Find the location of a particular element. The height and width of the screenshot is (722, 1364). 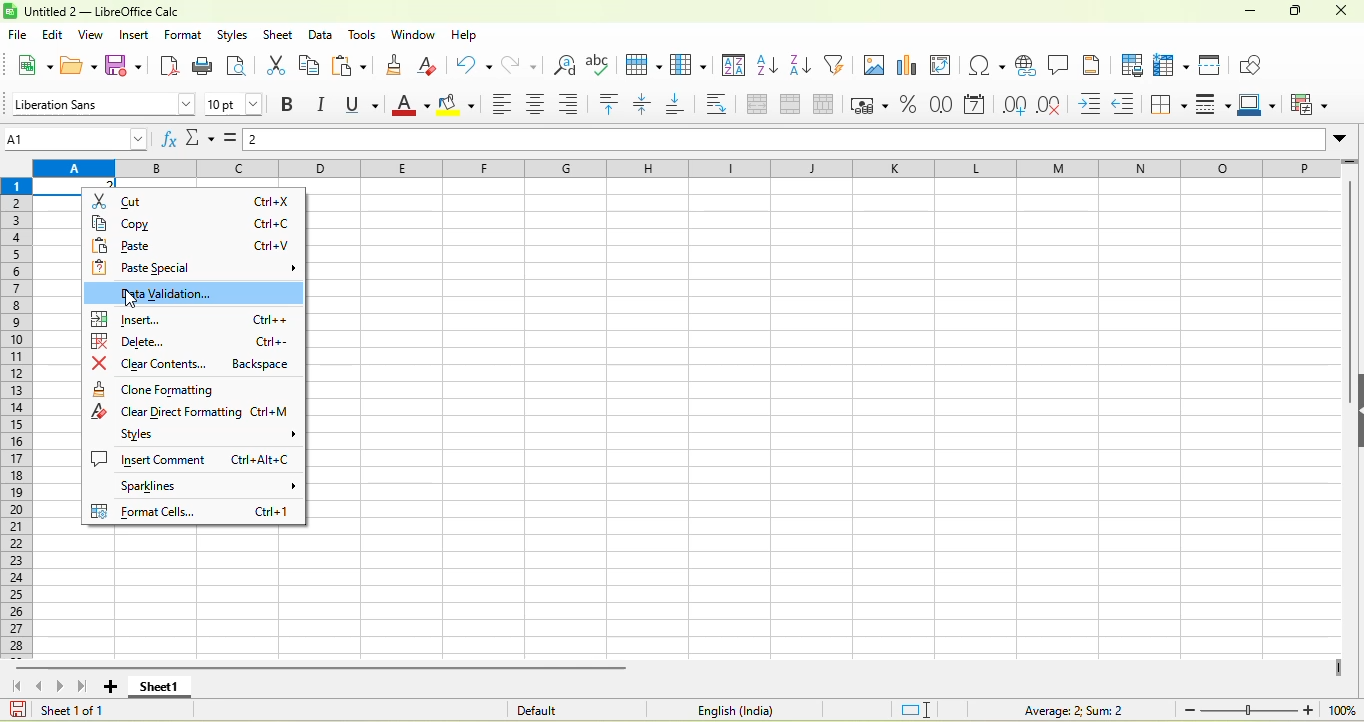

pivot table is located at coordinates (948, 67).